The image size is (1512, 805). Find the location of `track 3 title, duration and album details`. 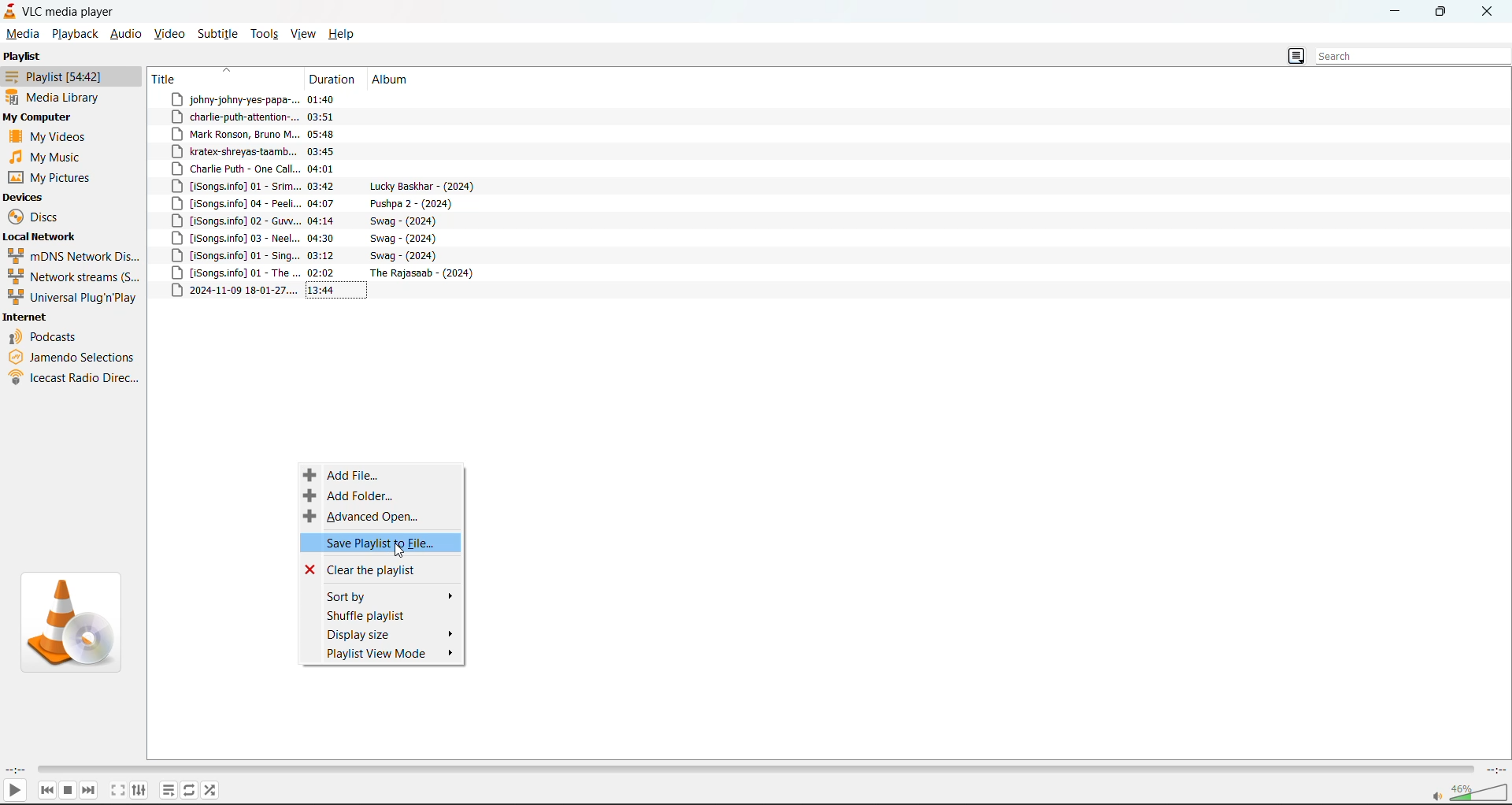

track 3 title, duration and album details is located at coordinates (287, 134).